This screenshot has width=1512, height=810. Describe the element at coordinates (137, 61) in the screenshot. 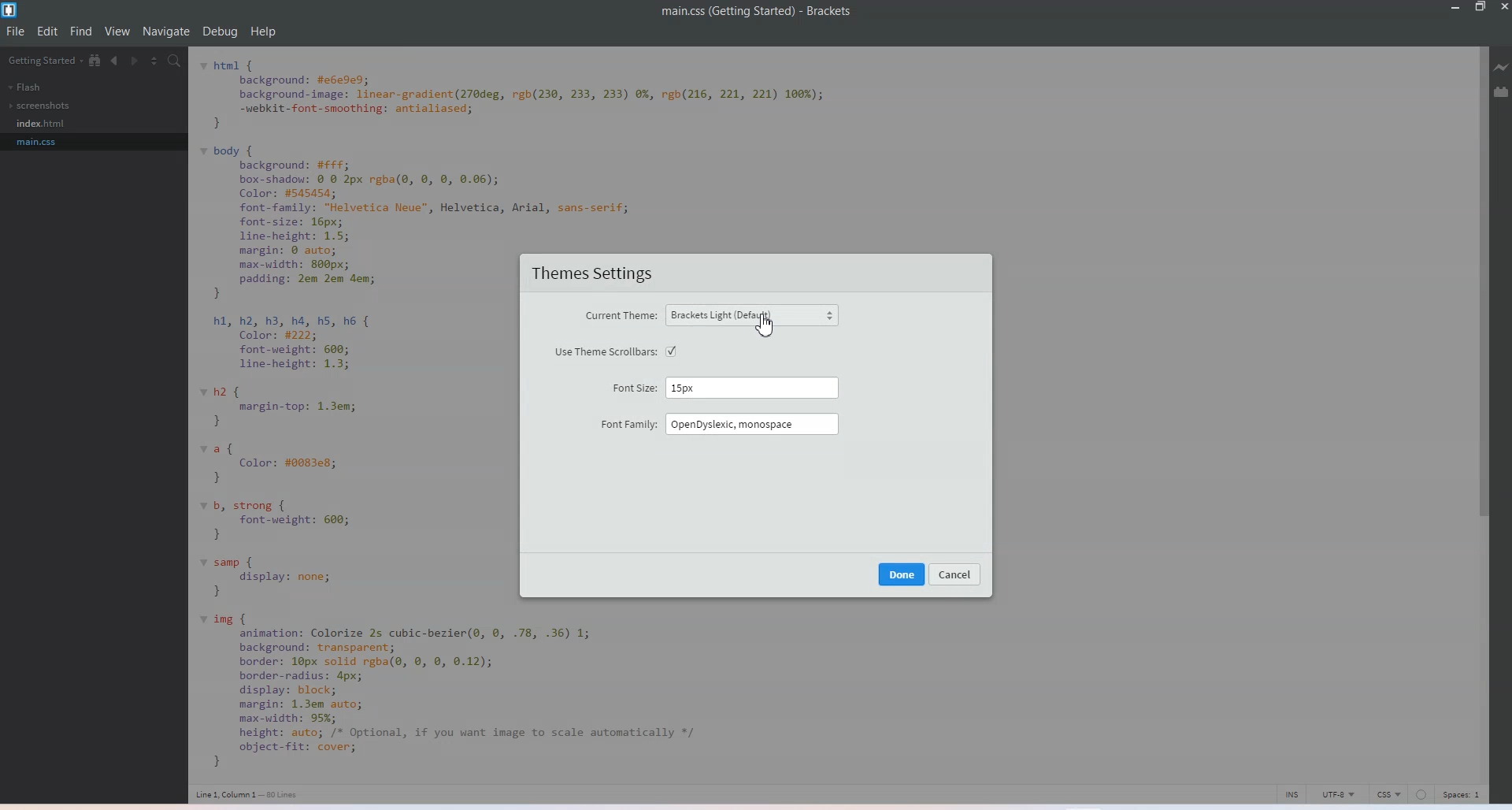

I see `Navigate Forward` at that location.